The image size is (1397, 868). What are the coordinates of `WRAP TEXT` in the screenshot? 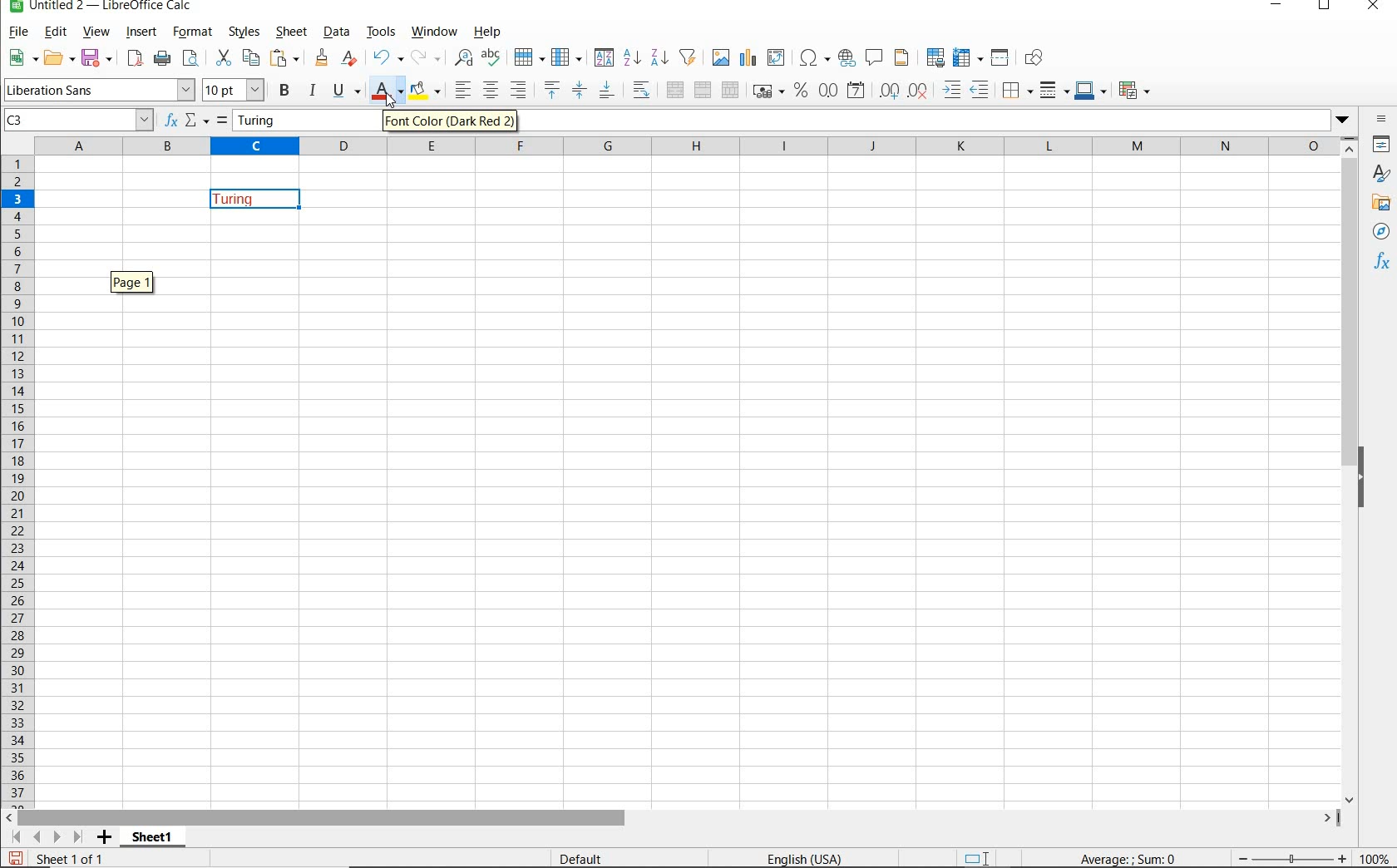 It's located at (639, 91).